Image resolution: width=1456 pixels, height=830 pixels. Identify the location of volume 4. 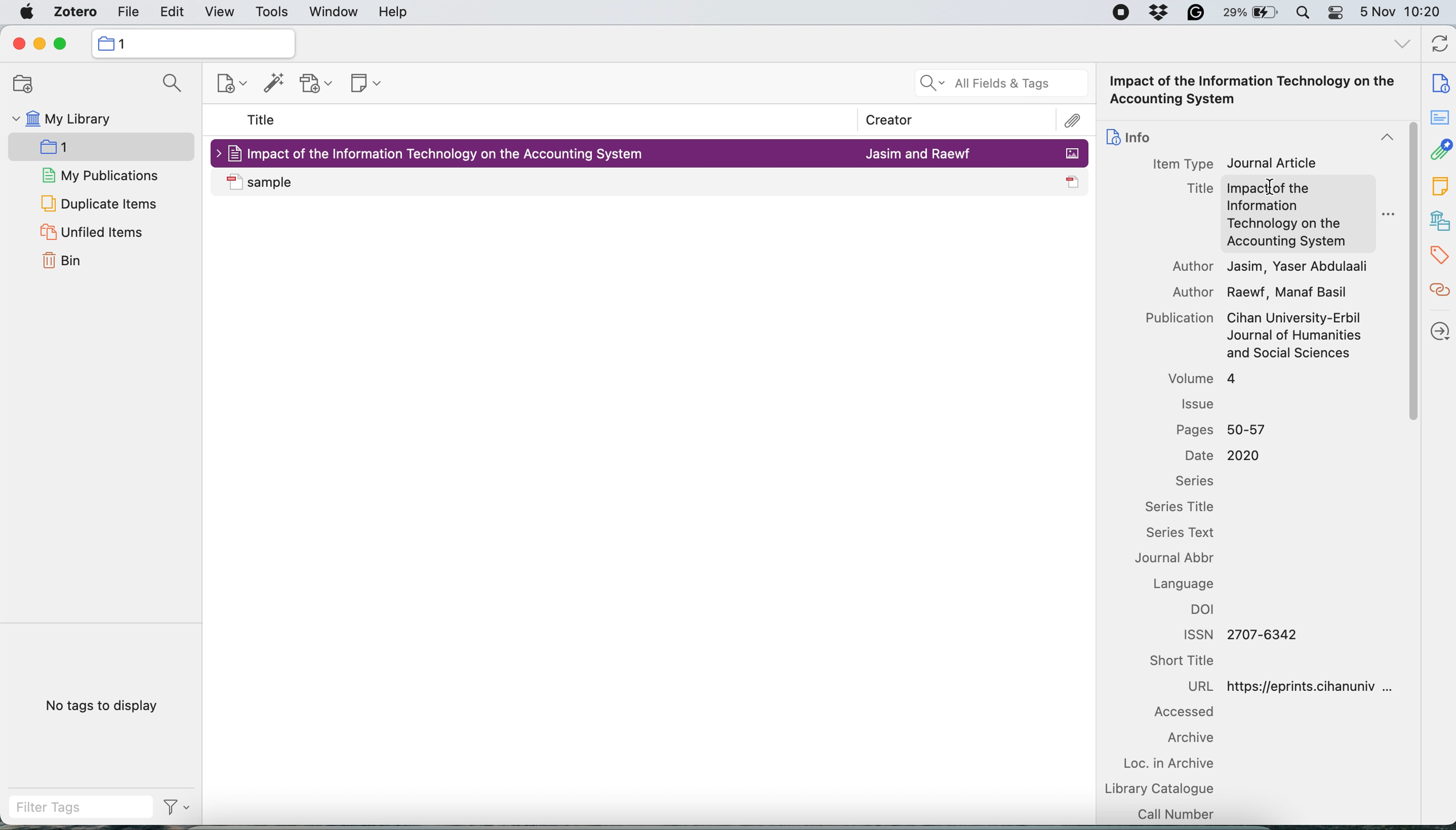
(1204, 377).